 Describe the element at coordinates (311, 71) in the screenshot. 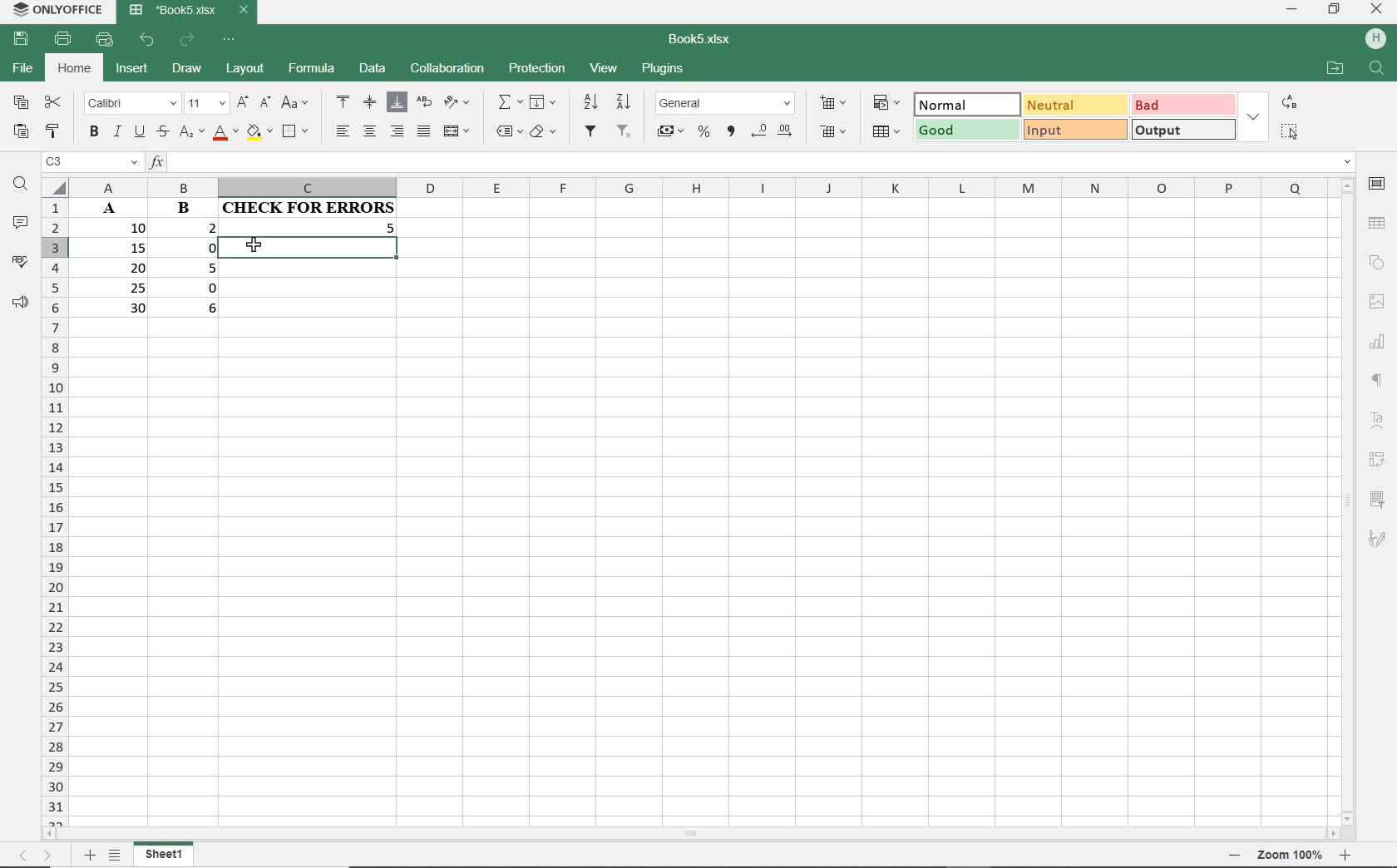

I see `FORMULA` at that location.